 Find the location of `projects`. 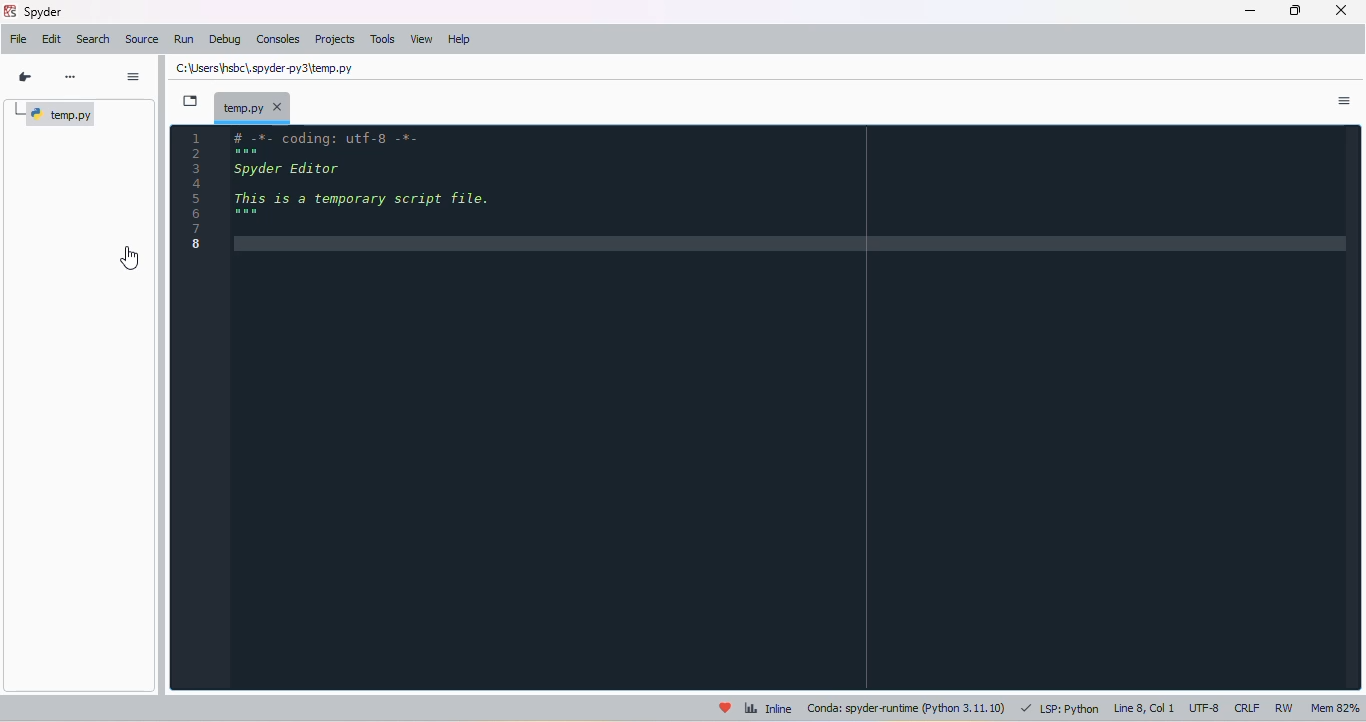

projects is located at coordinates (335, 39).